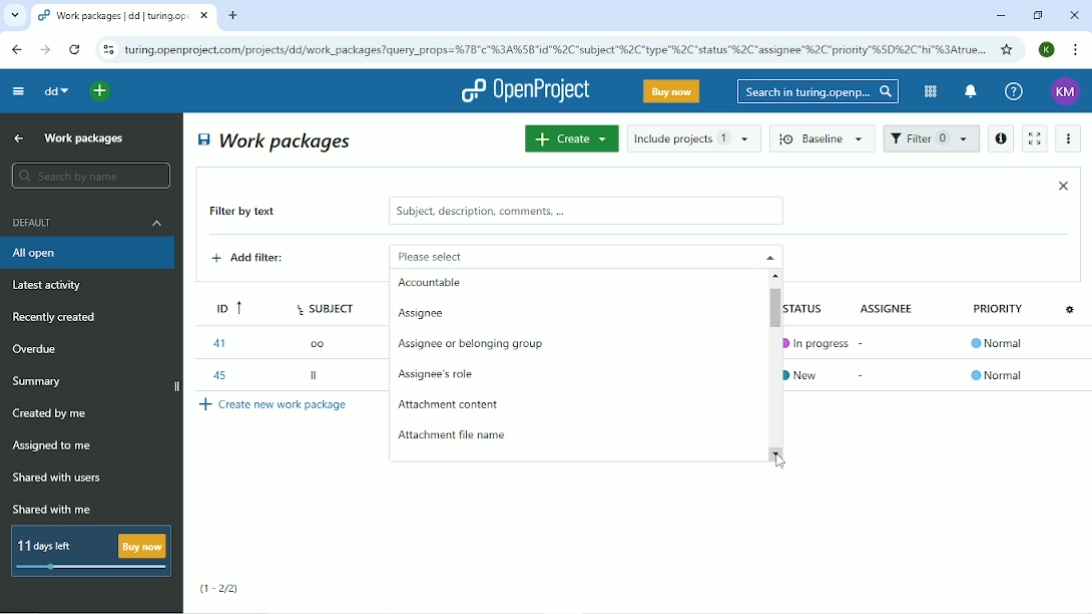 The image size is (1092, 614). Describe the element at coordinates (58, 317) in the screenshot. I see `Recently created` at that location.